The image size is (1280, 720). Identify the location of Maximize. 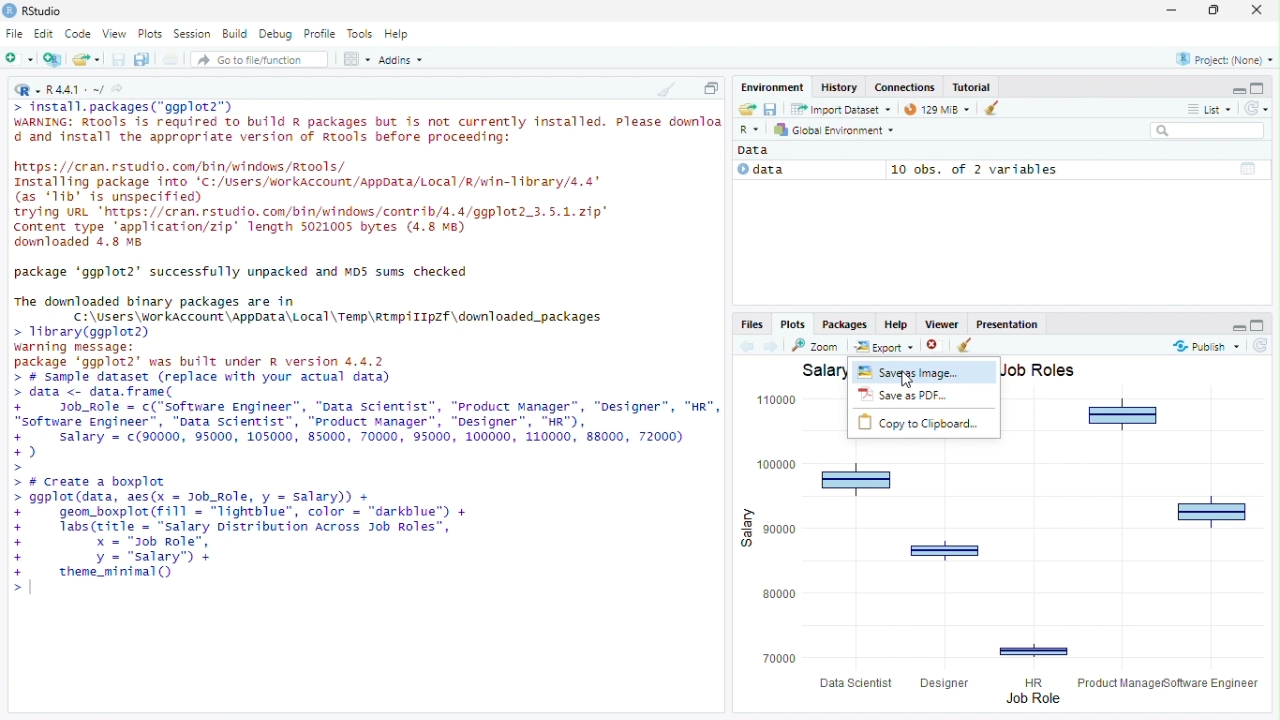
(1210, 11).